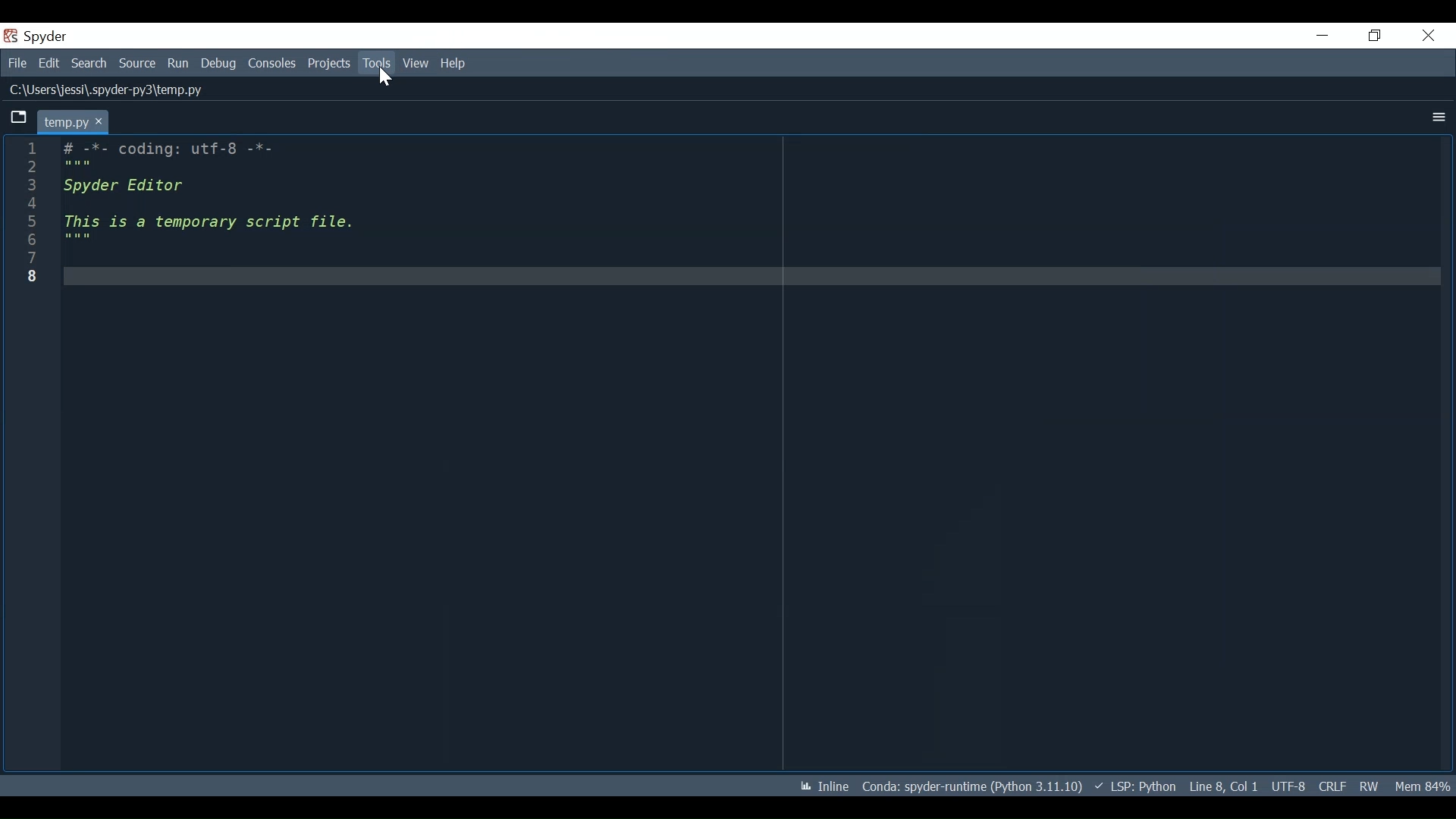 This screenshot has height=819, width=1456. What do you see at coordinates (1289, 786) in the screenshot?
I see `File Encoding` at bounding box center [1289, 786].